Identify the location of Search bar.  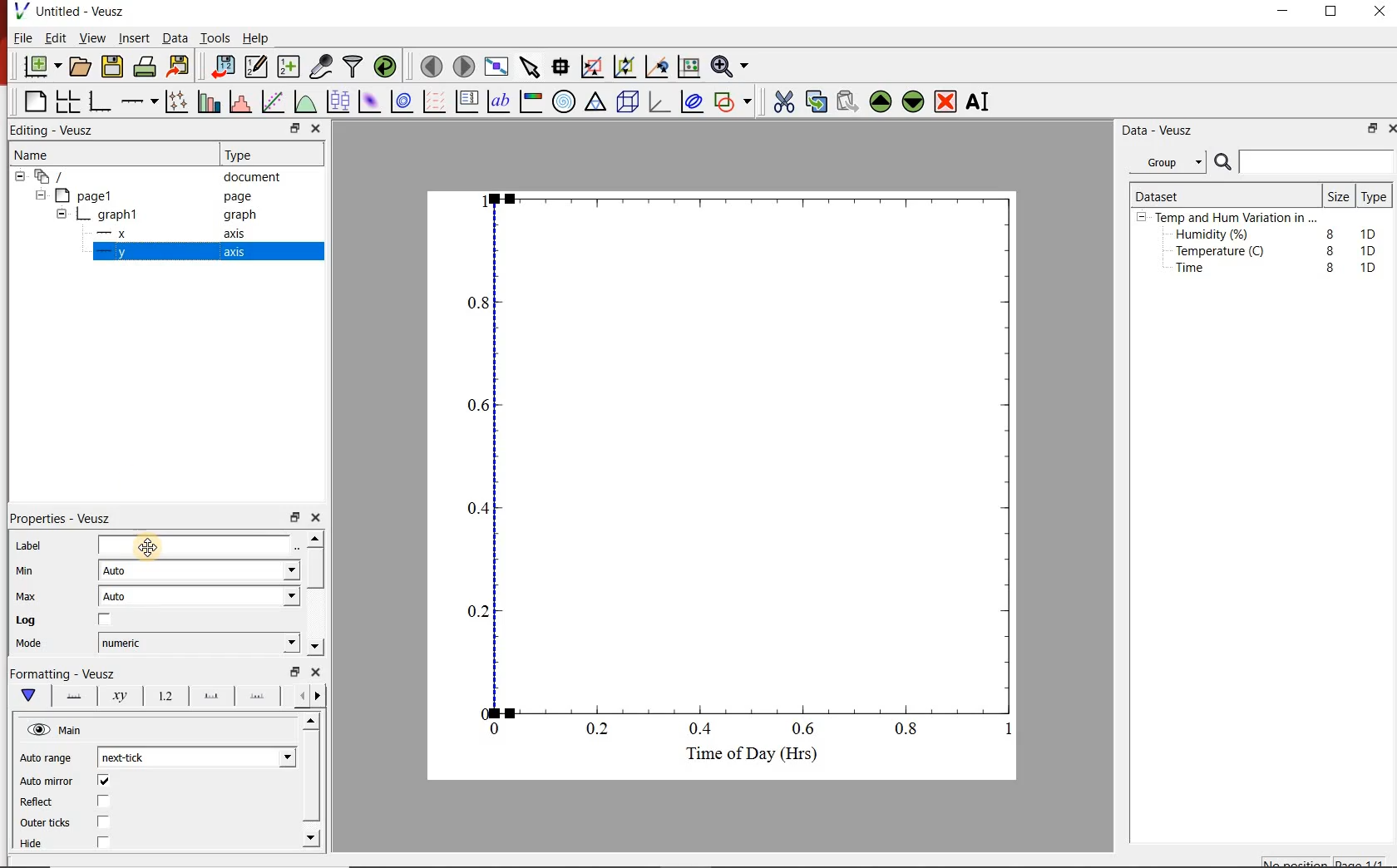
(1304, 162).